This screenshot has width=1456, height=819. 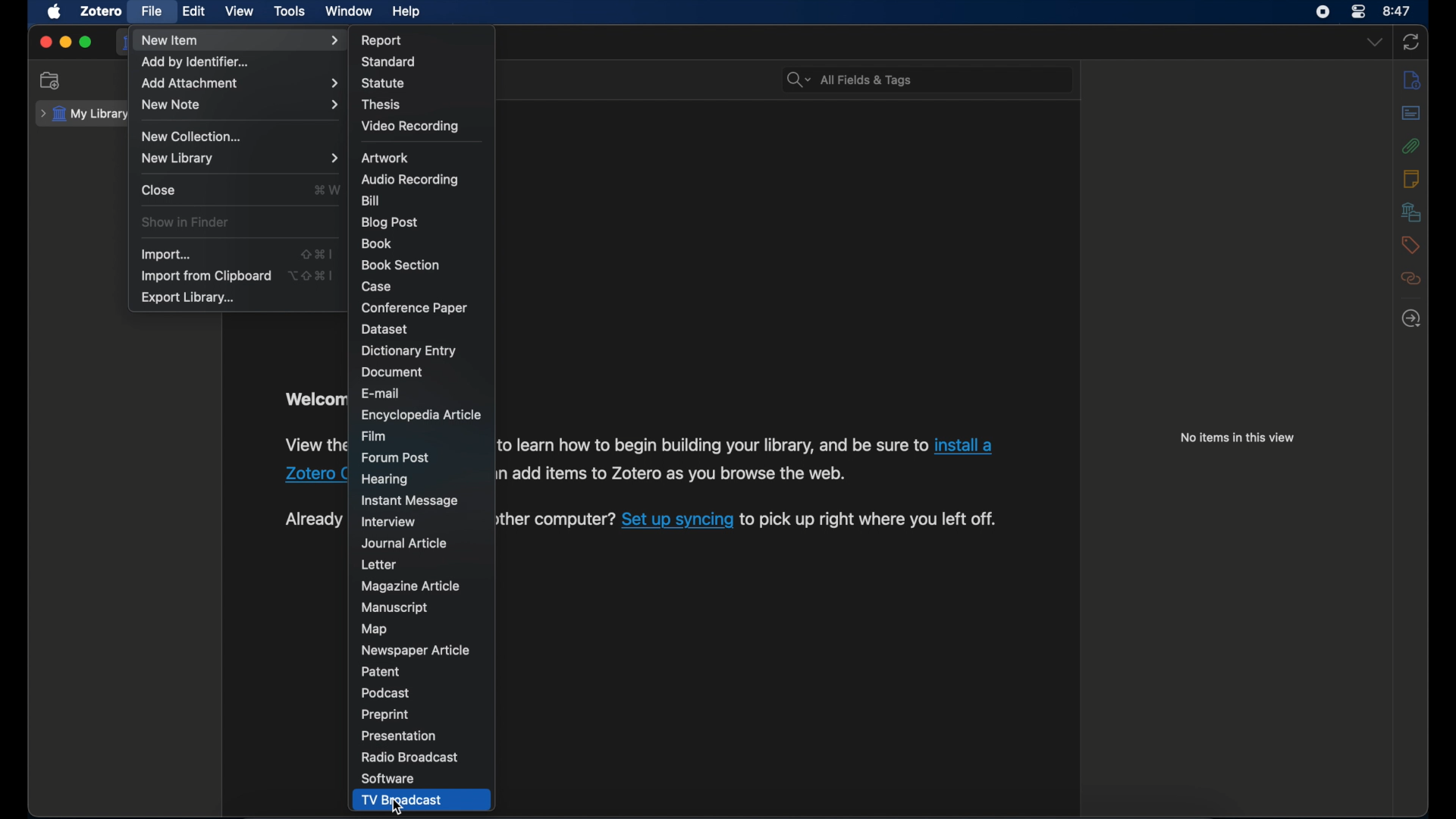 What do you see at coordinates (65, 43) in the screenshot?
I see `minimize` at bounding box center [65, 43].